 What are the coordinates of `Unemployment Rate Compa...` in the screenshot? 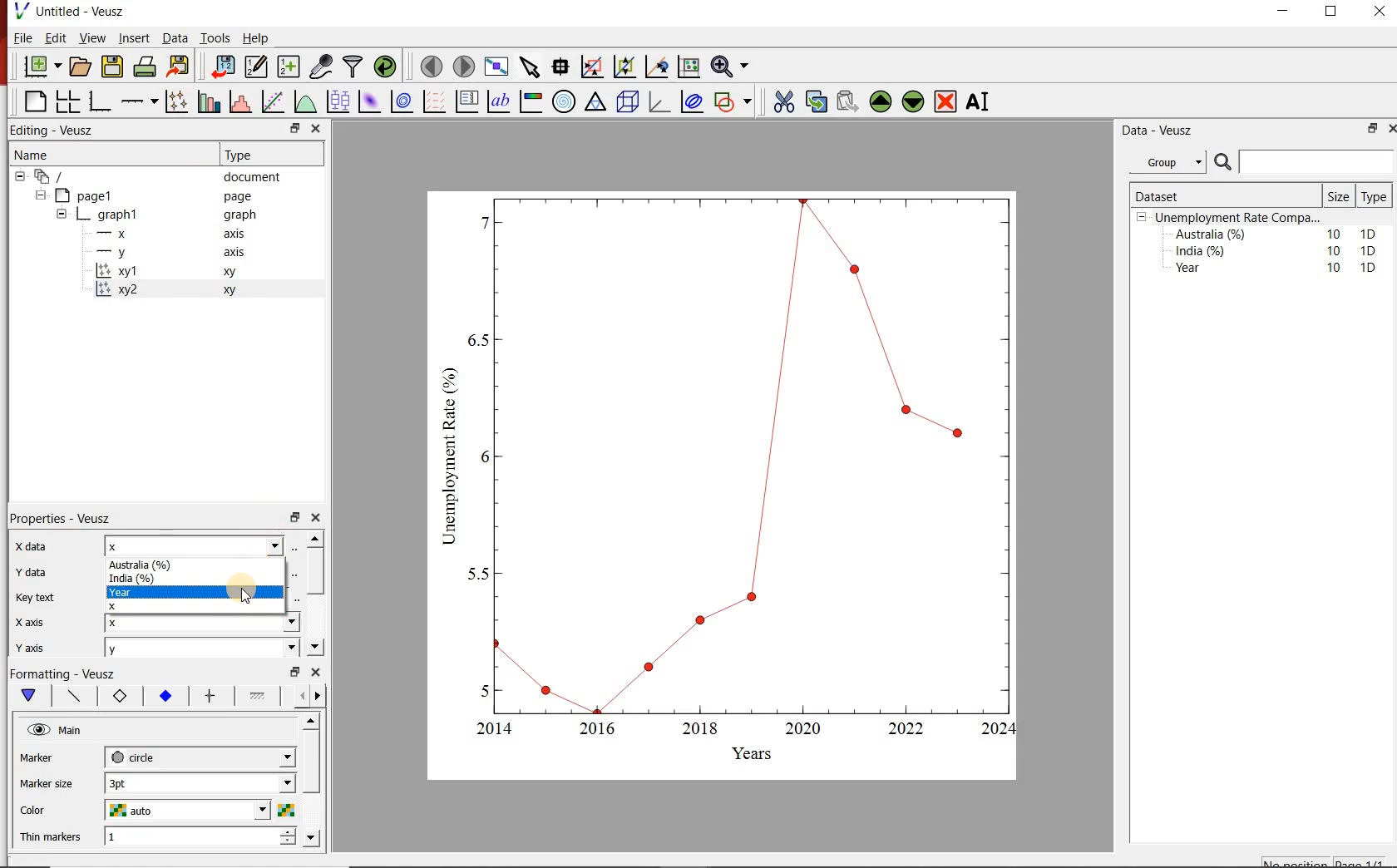 It's located at (1239, 218).